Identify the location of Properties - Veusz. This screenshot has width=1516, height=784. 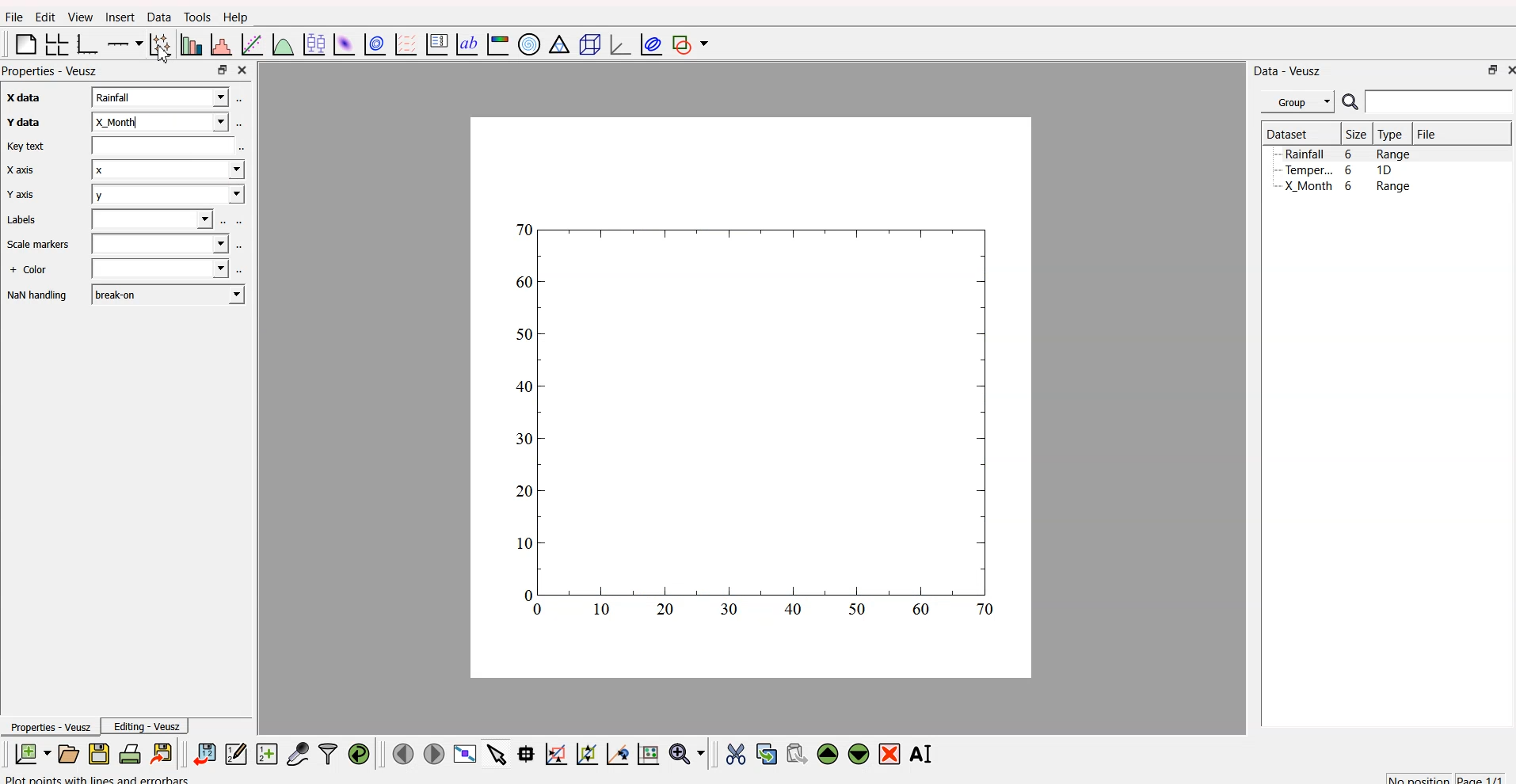
(49, 726).